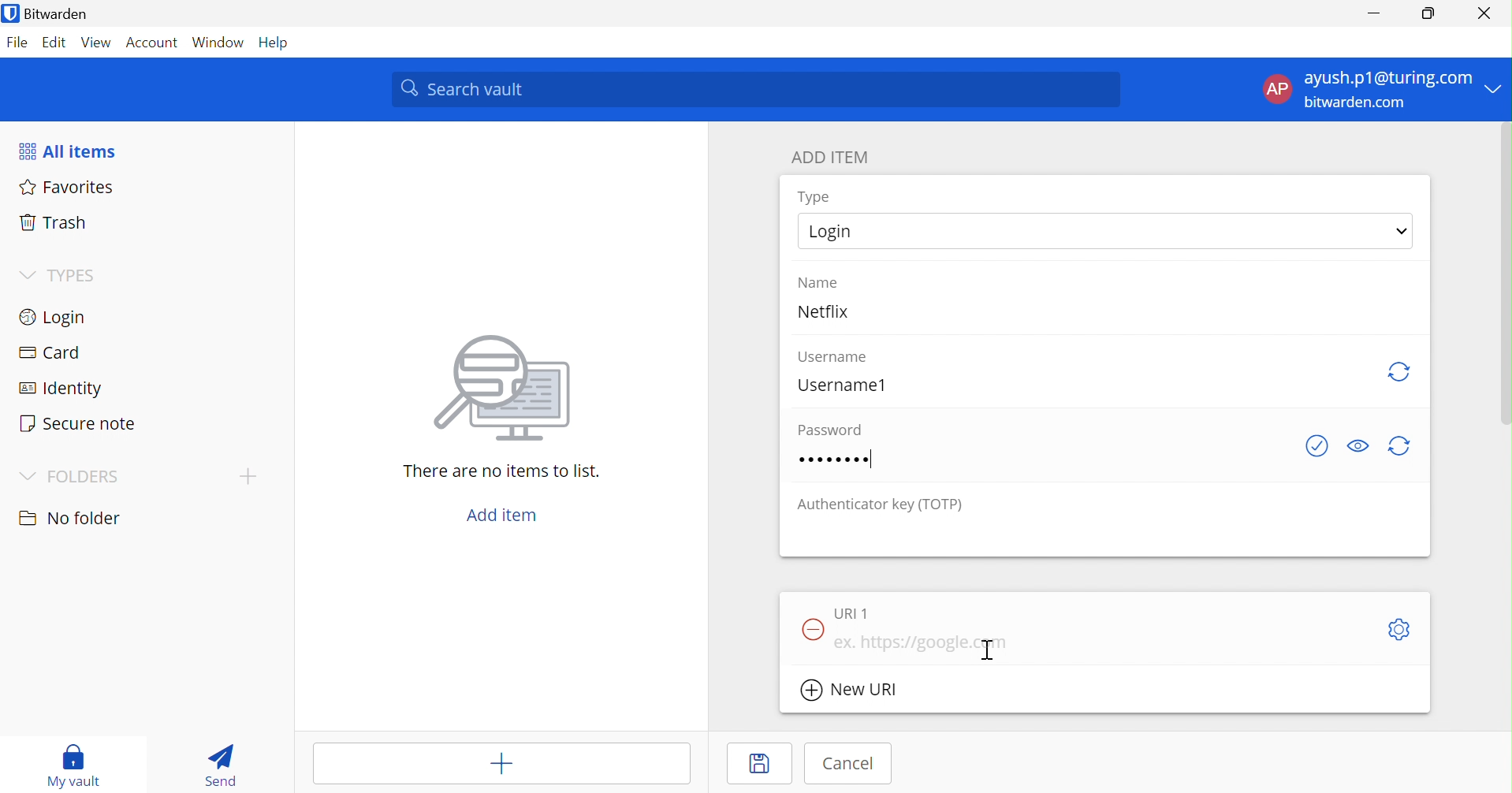 Image resolution: width=1512 pixels, height=793 pixels. Describe the element at coordinates (67, 478) in the screenshot. I see `FOLDERS` at that location.